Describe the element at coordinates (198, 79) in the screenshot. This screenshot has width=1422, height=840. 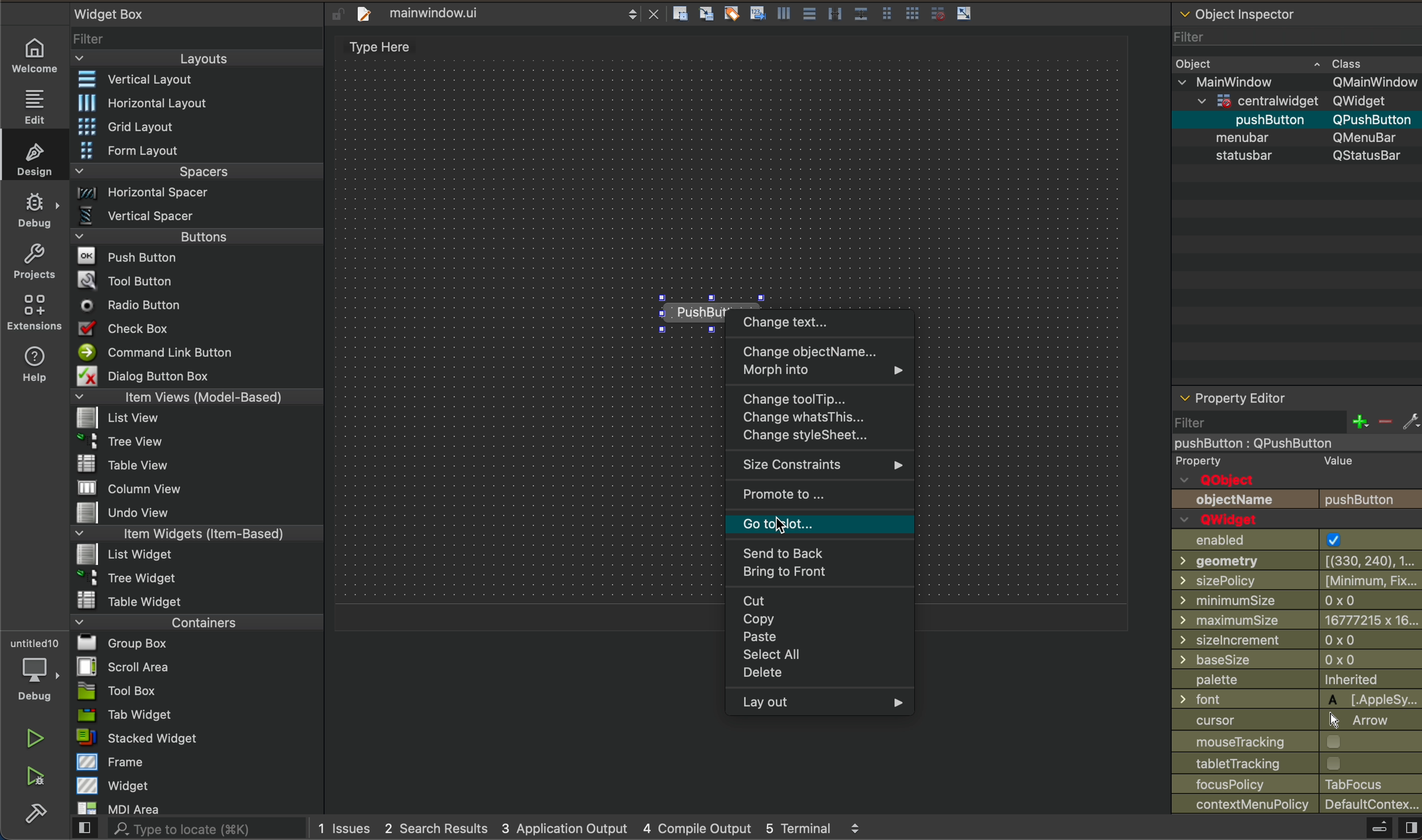
I see `vertical layout` at that location.